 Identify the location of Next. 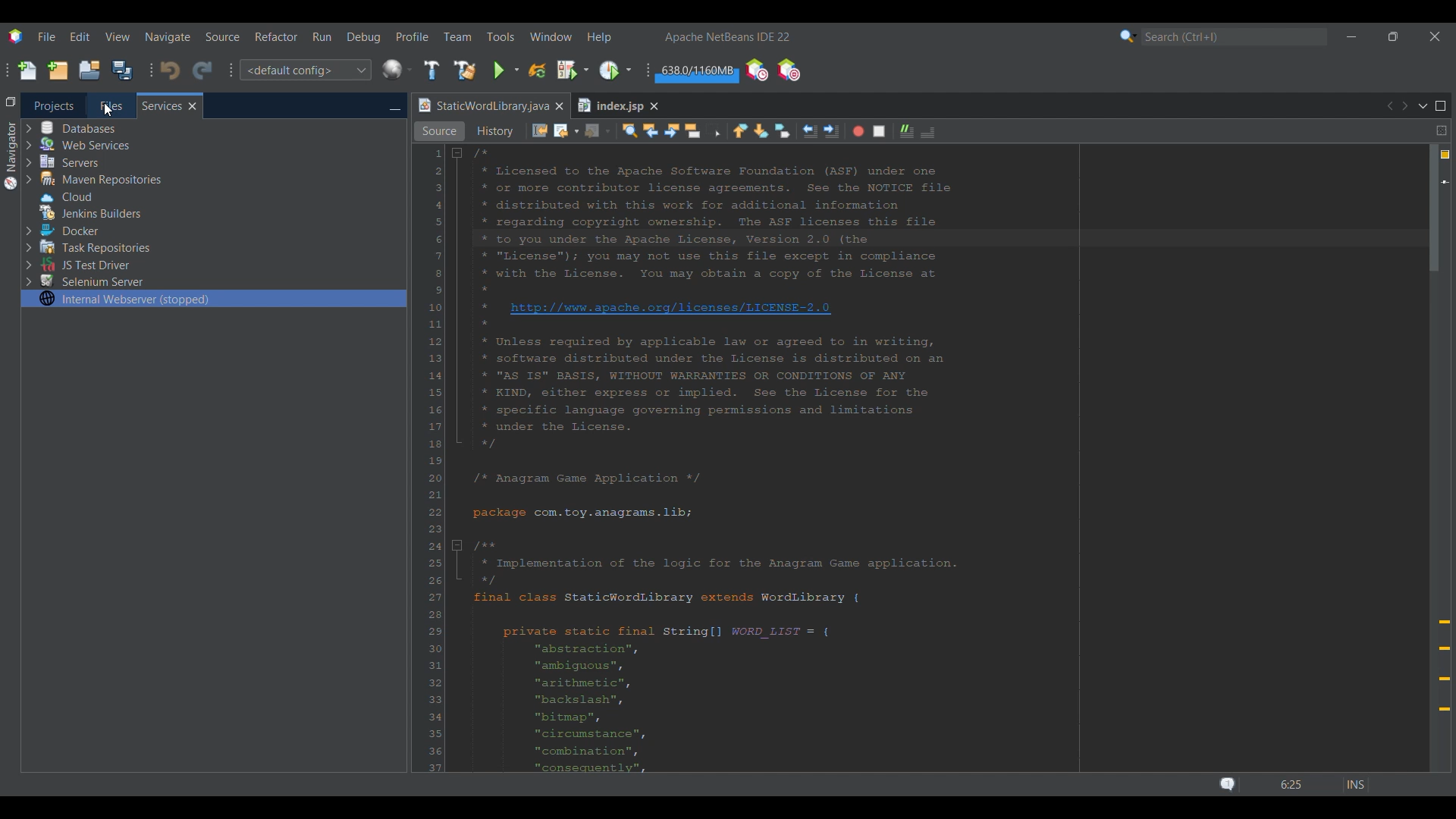
(1404, 105).